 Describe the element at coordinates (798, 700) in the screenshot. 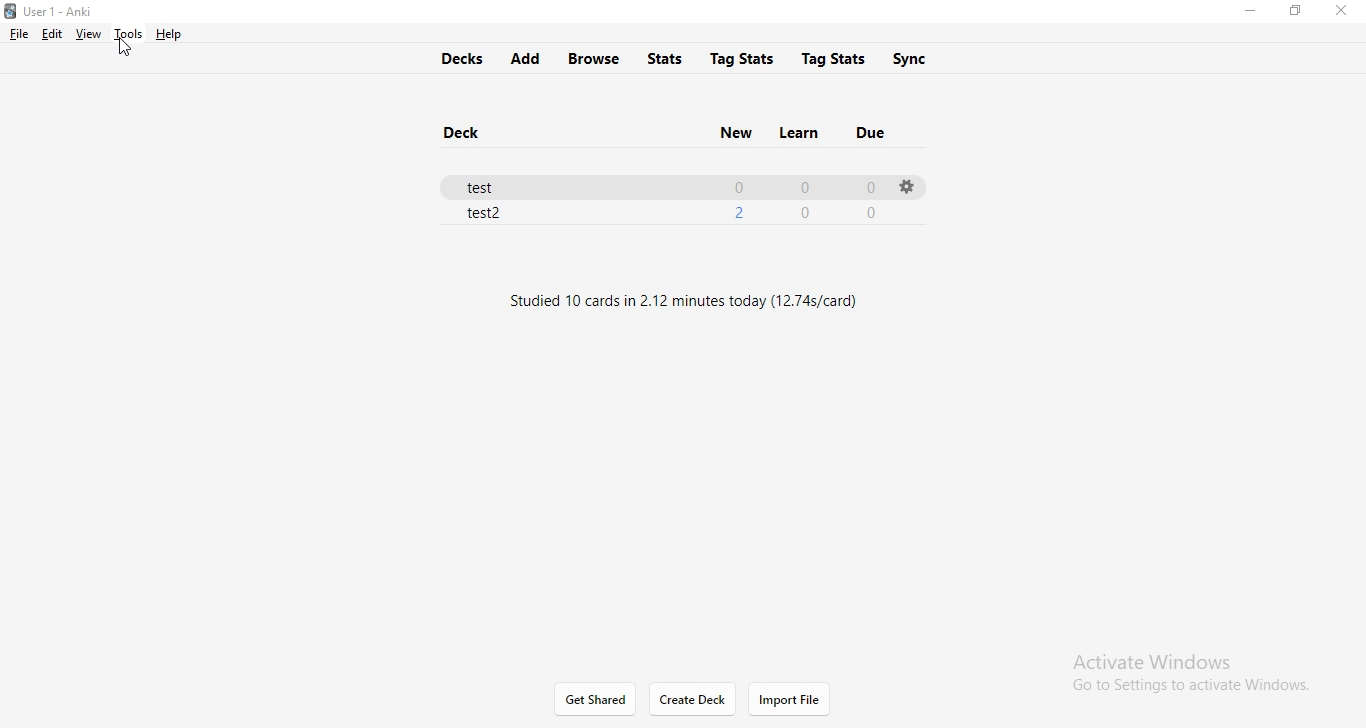

I see `import file` at that location.